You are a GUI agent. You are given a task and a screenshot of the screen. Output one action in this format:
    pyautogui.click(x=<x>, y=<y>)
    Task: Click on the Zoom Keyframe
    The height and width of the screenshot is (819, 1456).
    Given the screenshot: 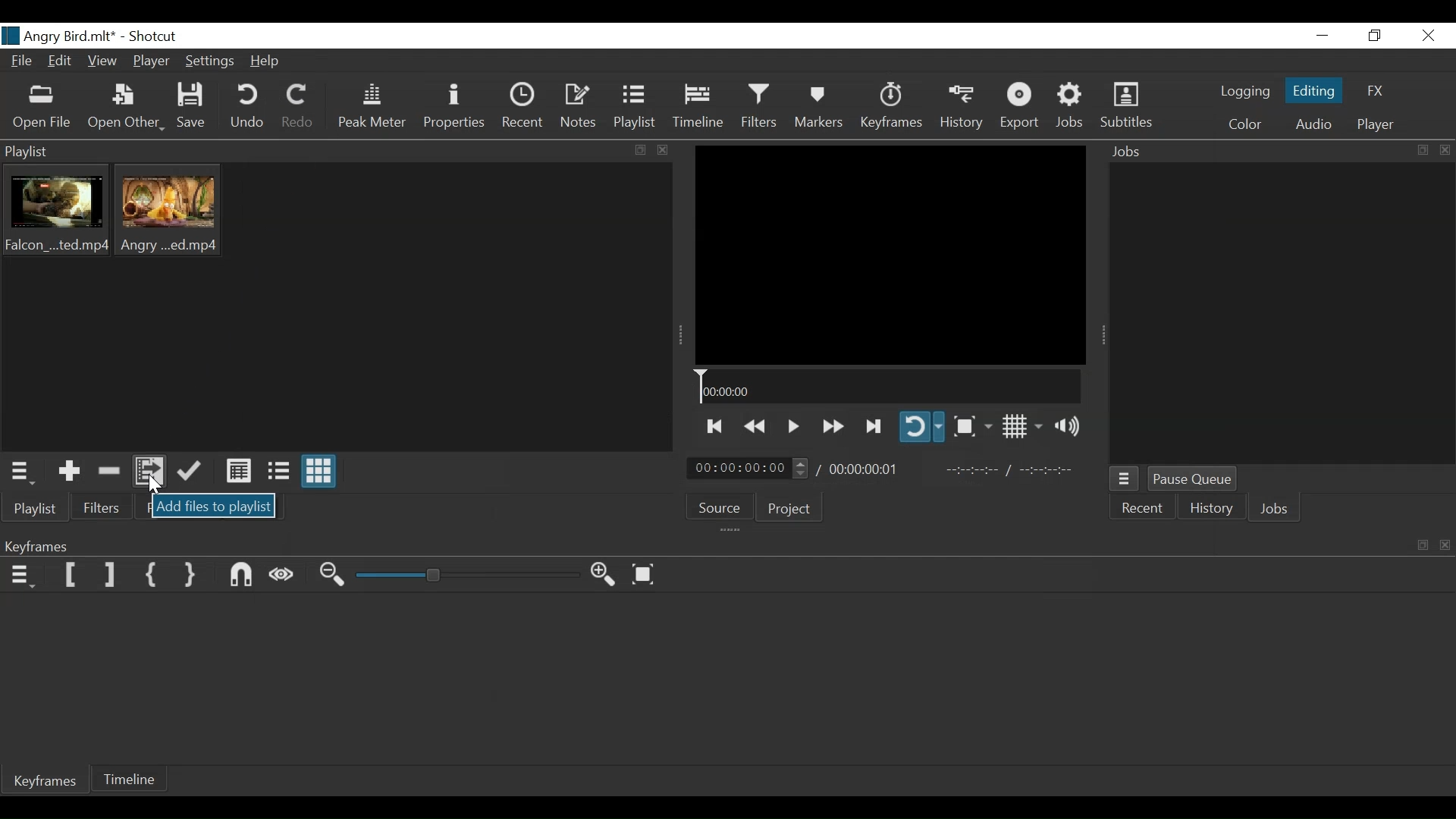 What is the action you would take?
    pyautogui.click(x=469, y=575)
    